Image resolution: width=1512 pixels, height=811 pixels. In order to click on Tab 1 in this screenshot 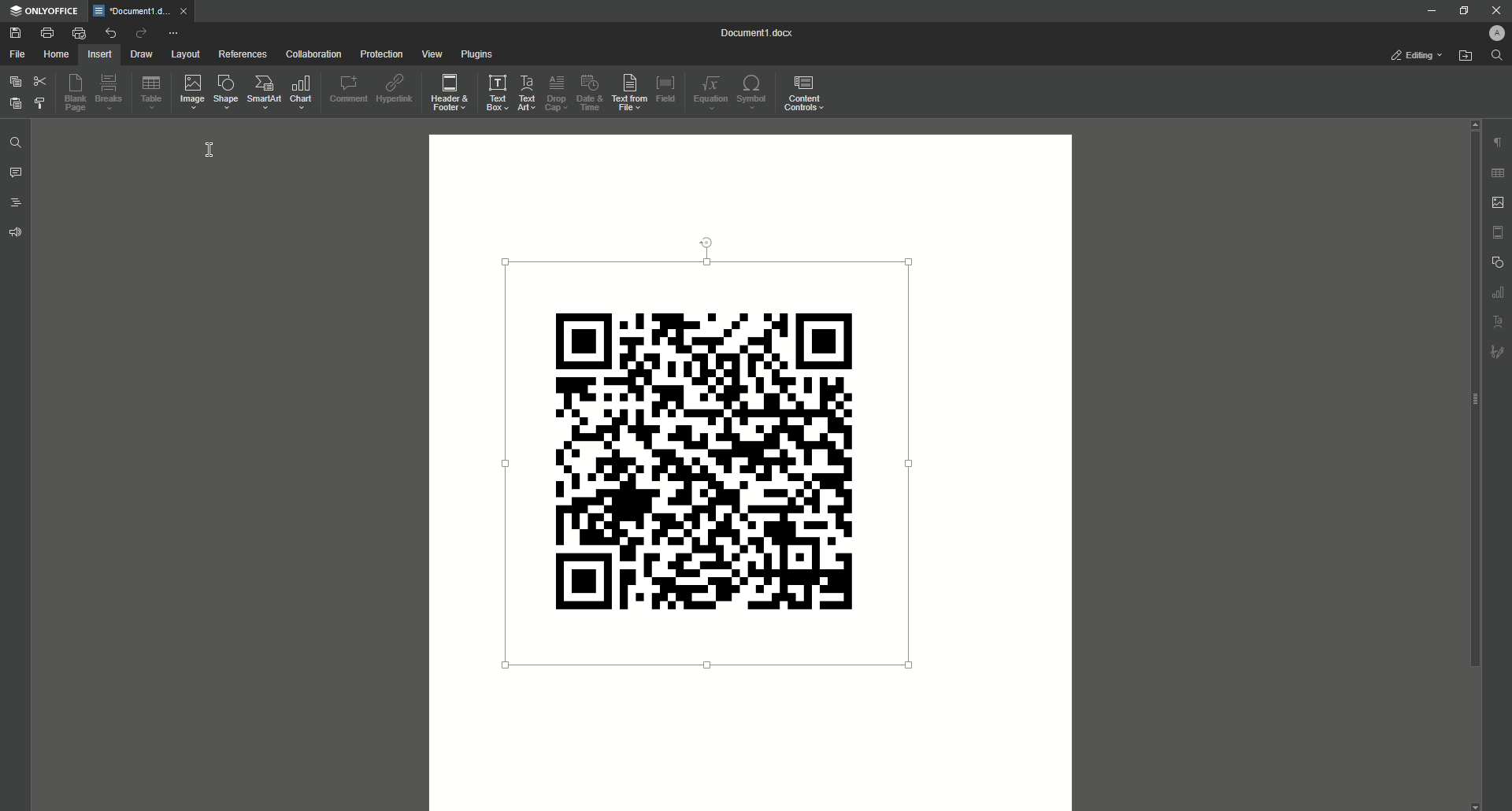, I will do `click(146, 11)`.